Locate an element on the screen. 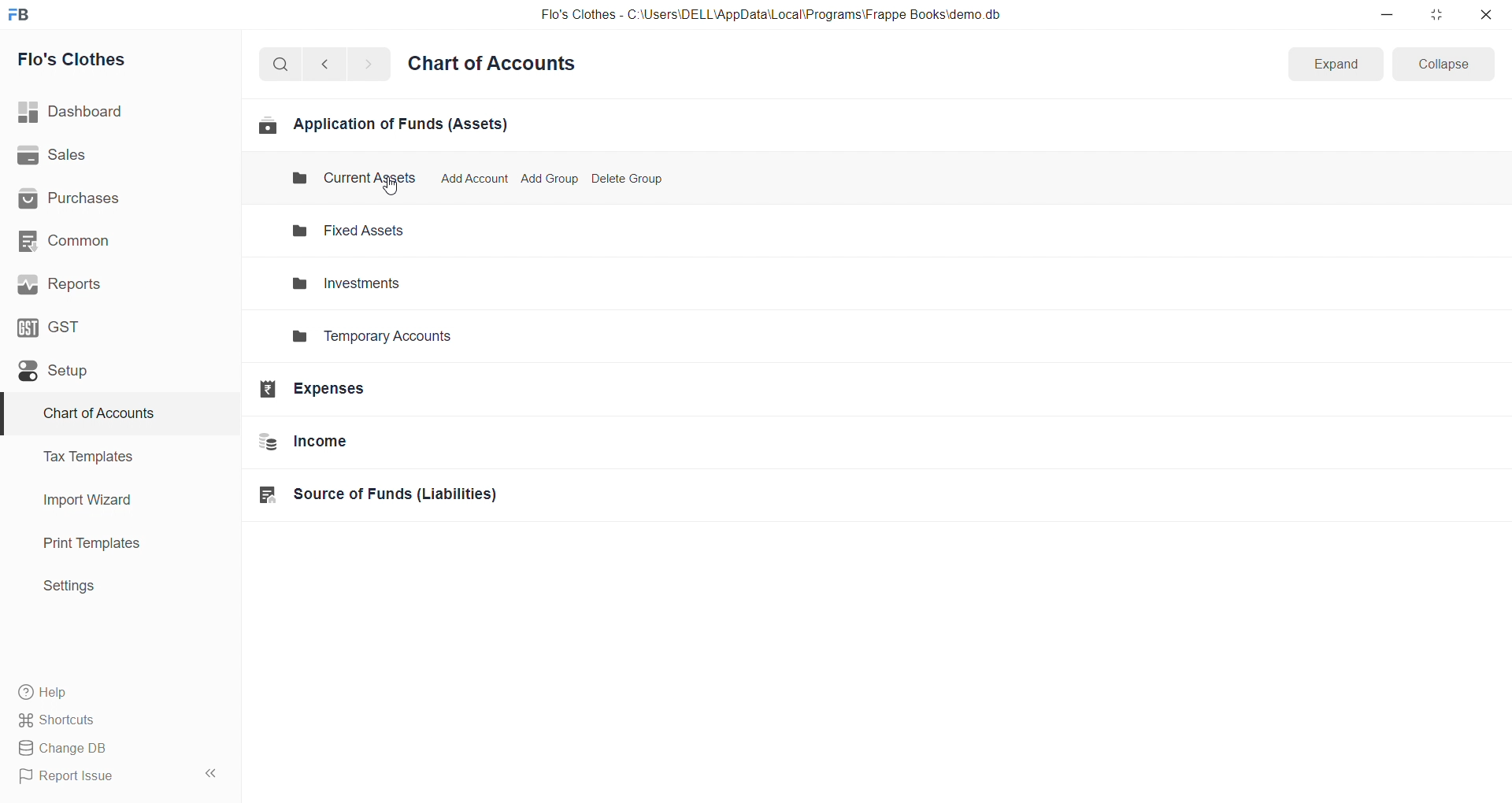 This screenshot has height=803, width=1512. GST is located at coordinates (109, 326).